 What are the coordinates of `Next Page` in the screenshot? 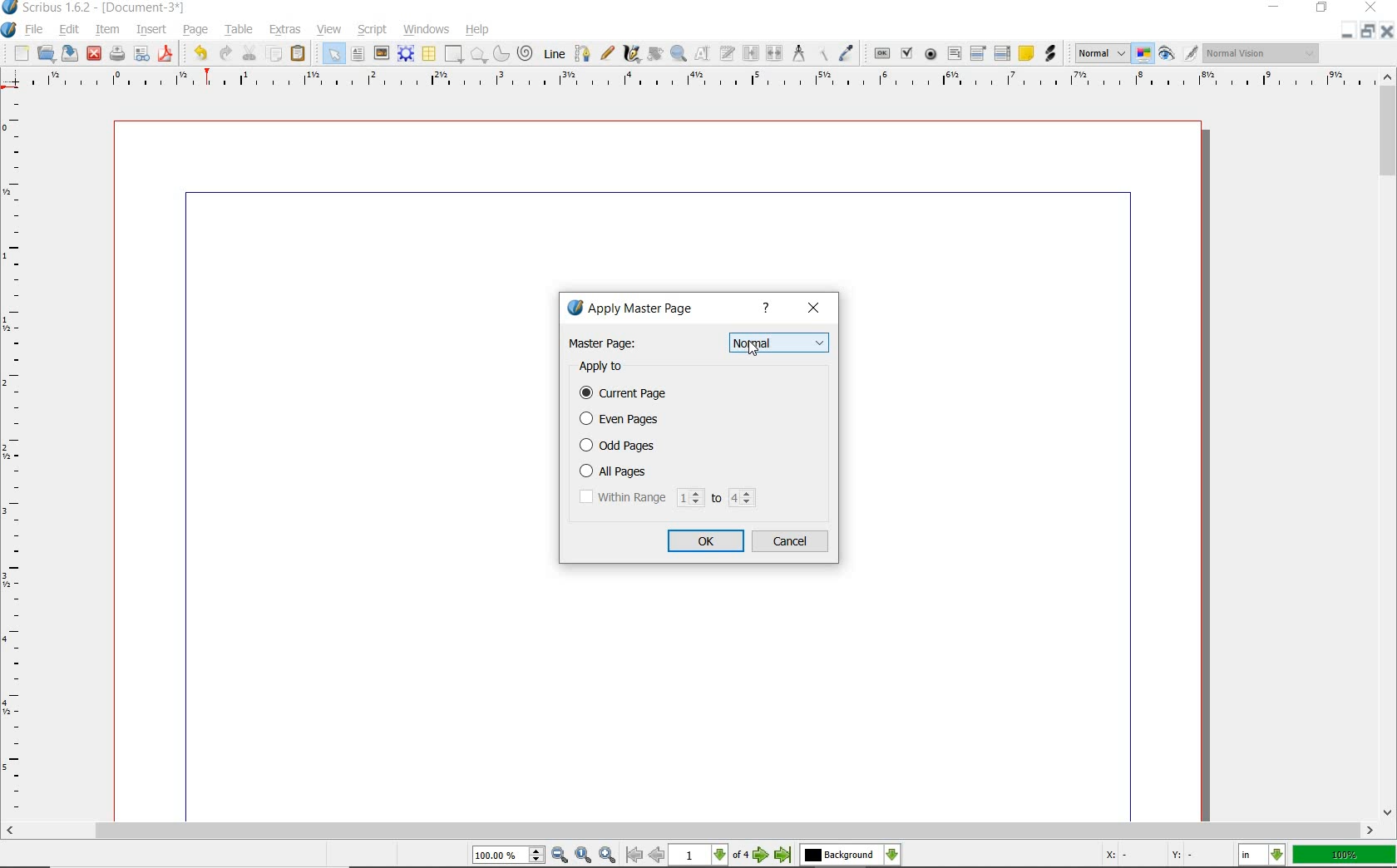 It's located at (762, 856).